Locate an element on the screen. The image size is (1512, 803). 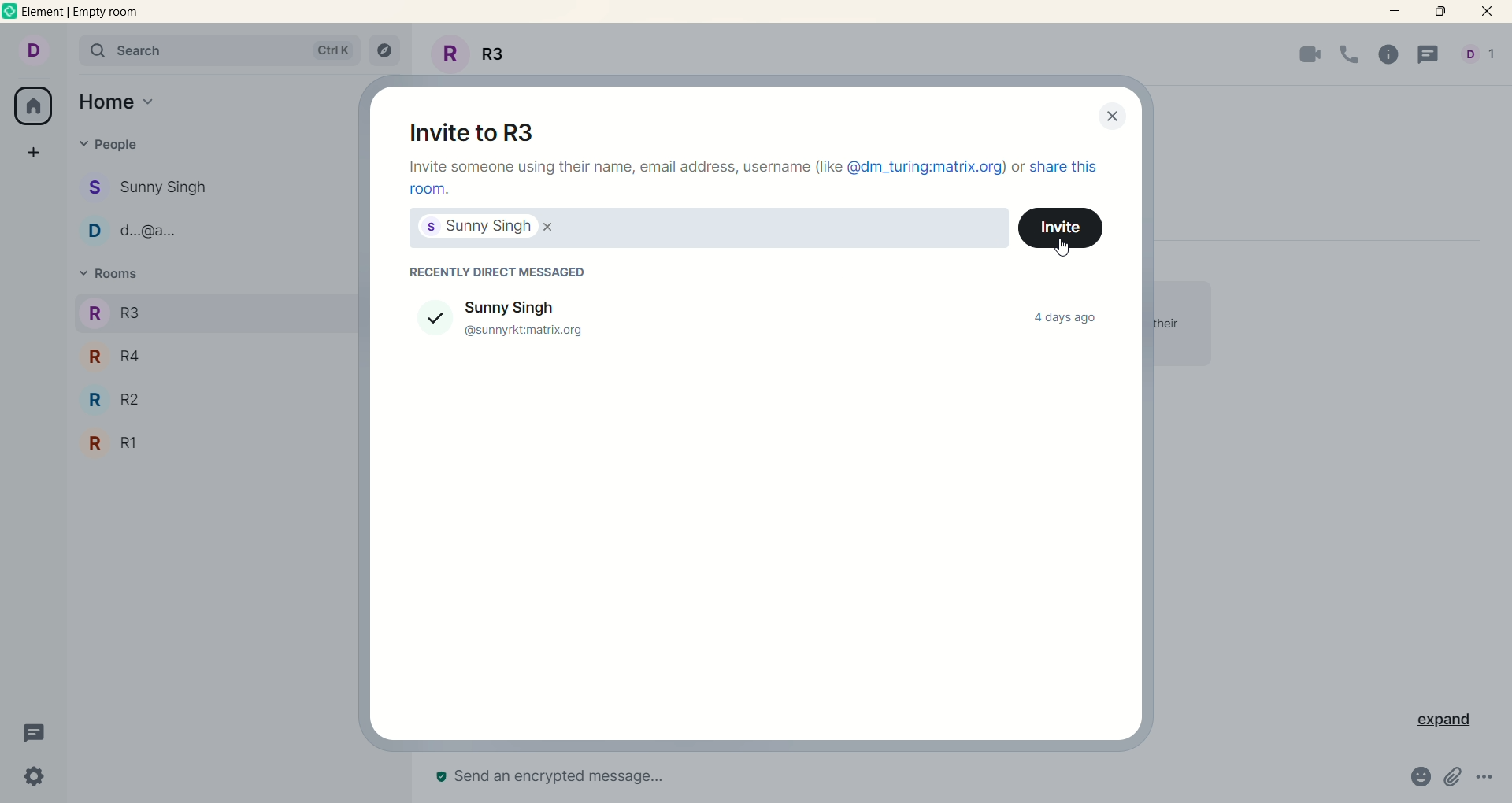
R R3 is located at coordinates (114, 313).